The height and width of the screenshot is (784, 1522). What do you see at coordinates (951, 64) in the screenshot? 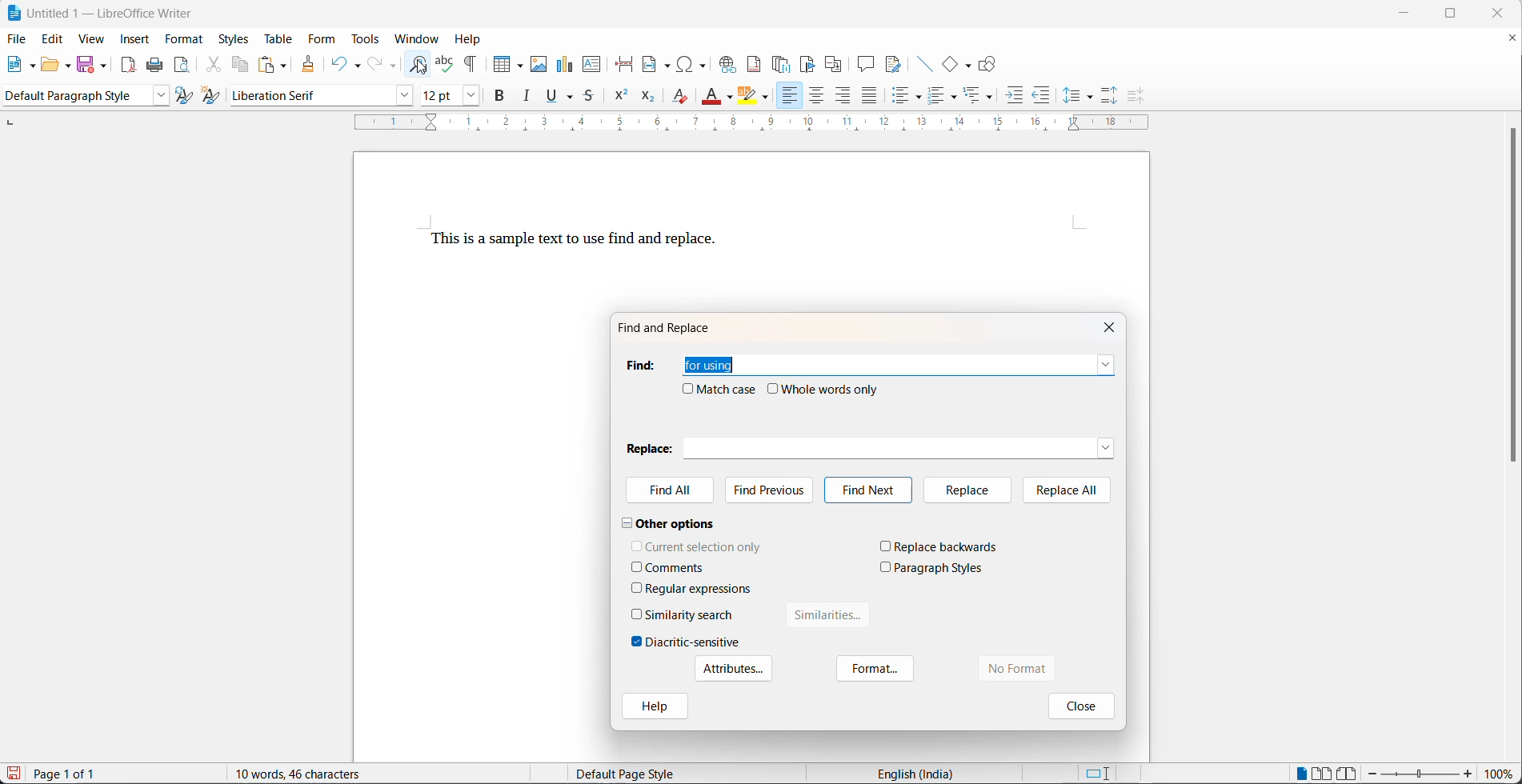
I see `basic shapes` at bounding box center [951, 64].